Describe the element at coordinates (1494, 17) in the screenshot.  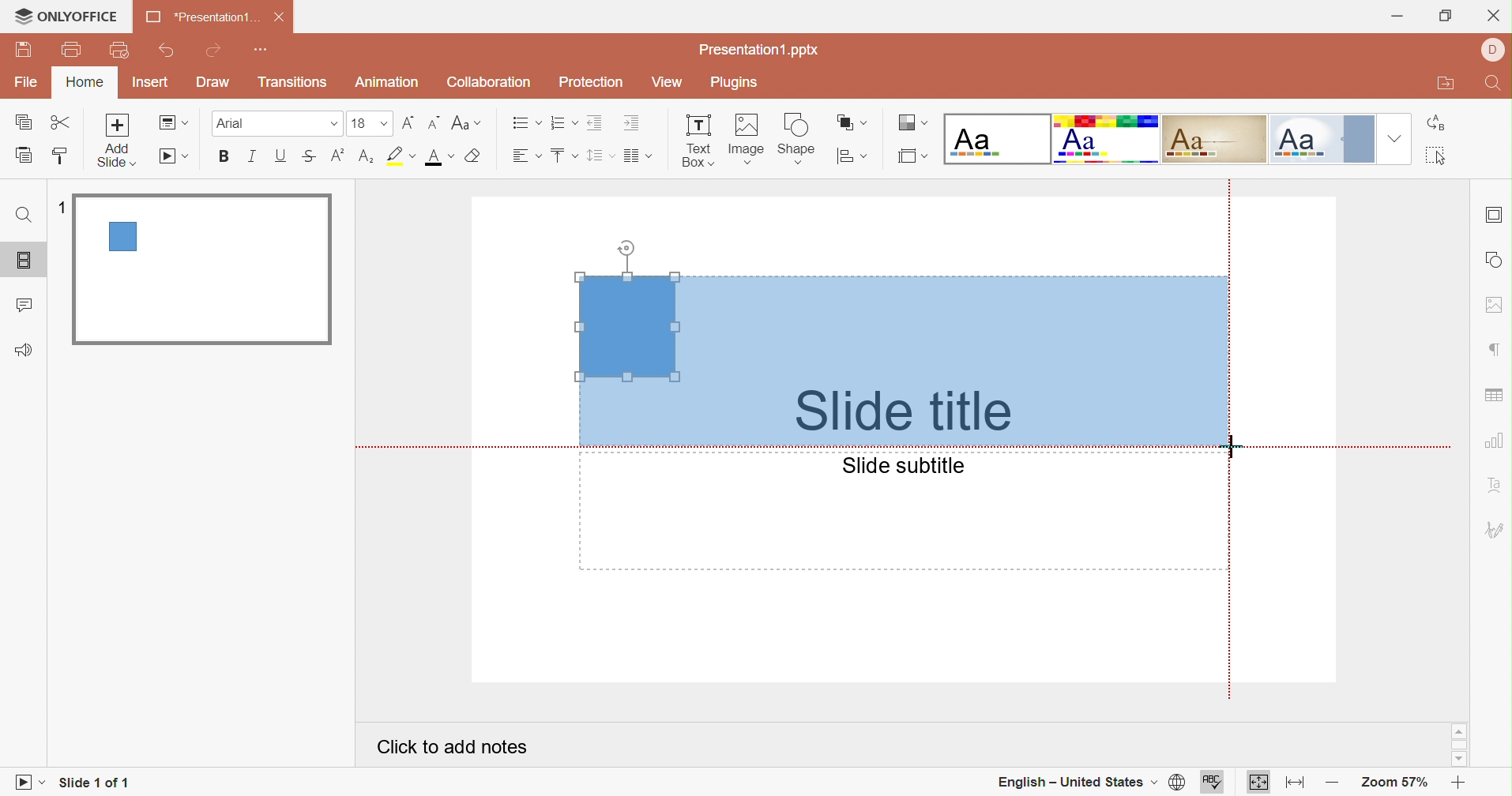
I see `Close` at that location.